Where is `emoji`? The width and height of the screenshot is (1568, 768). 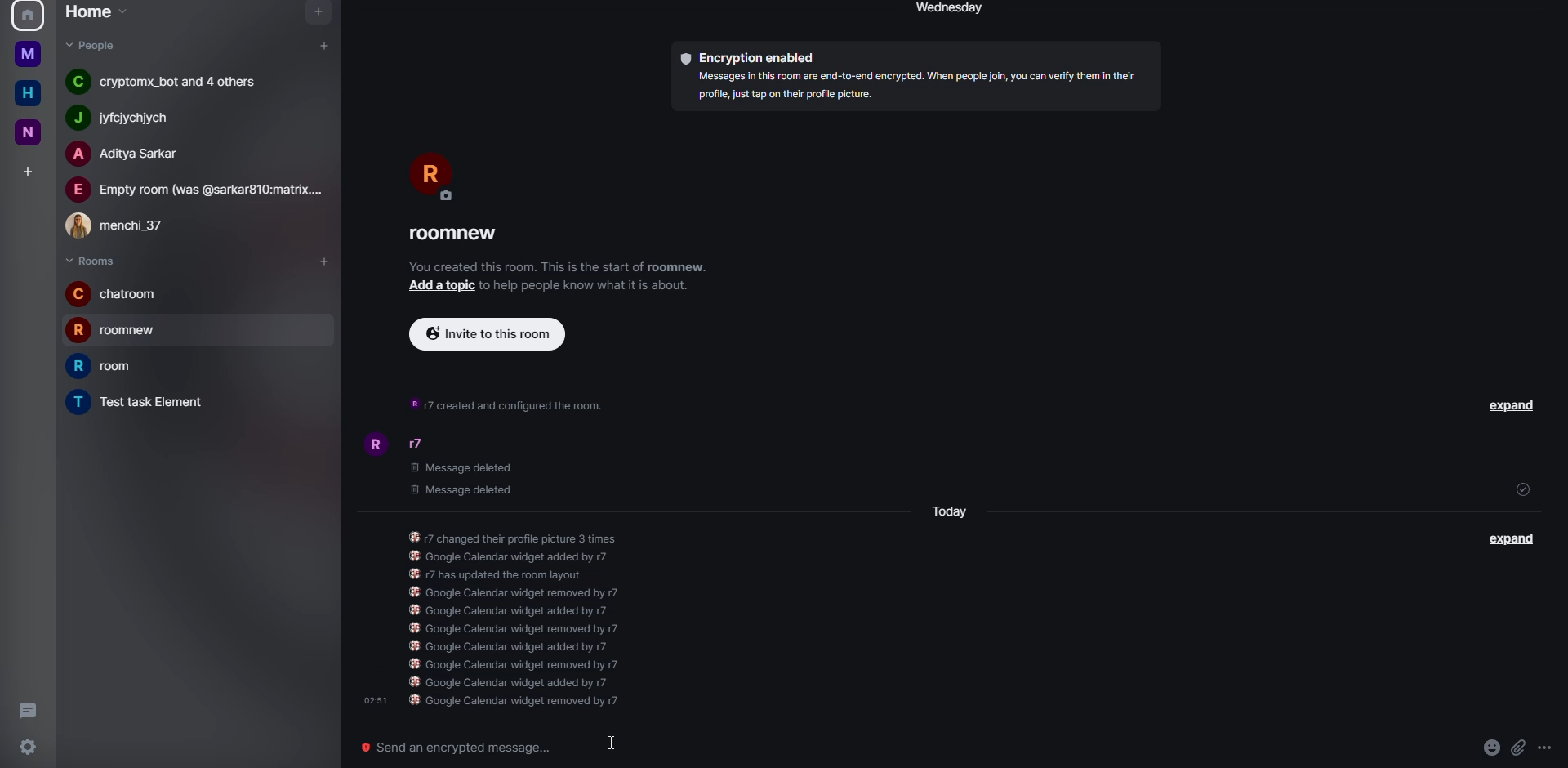 emoji is located at coordinates (1490, 748).